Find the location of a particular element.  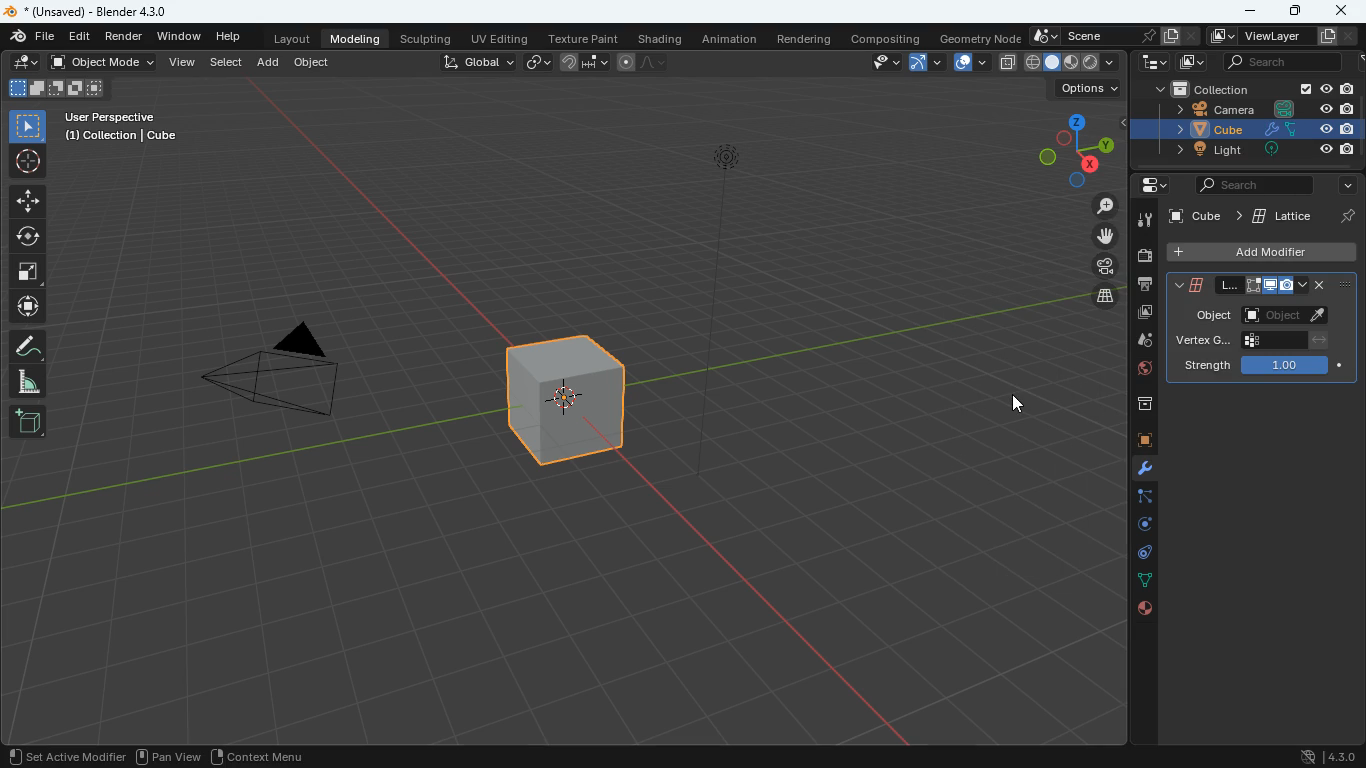

copy is located at coordinates (970, 63).